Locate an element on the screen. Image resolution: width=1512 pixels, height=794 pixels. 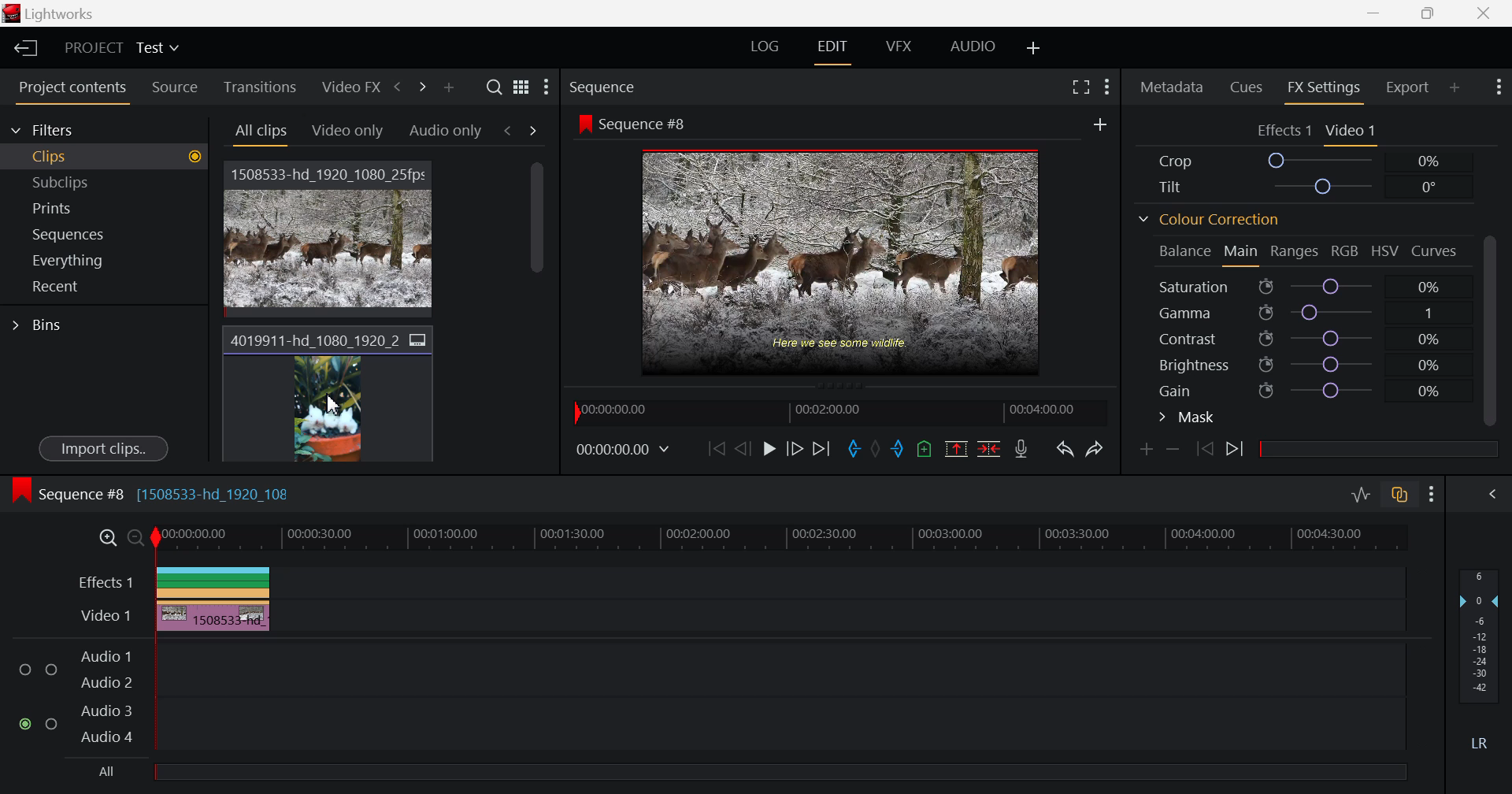
All is located at coordinates (717, 773).